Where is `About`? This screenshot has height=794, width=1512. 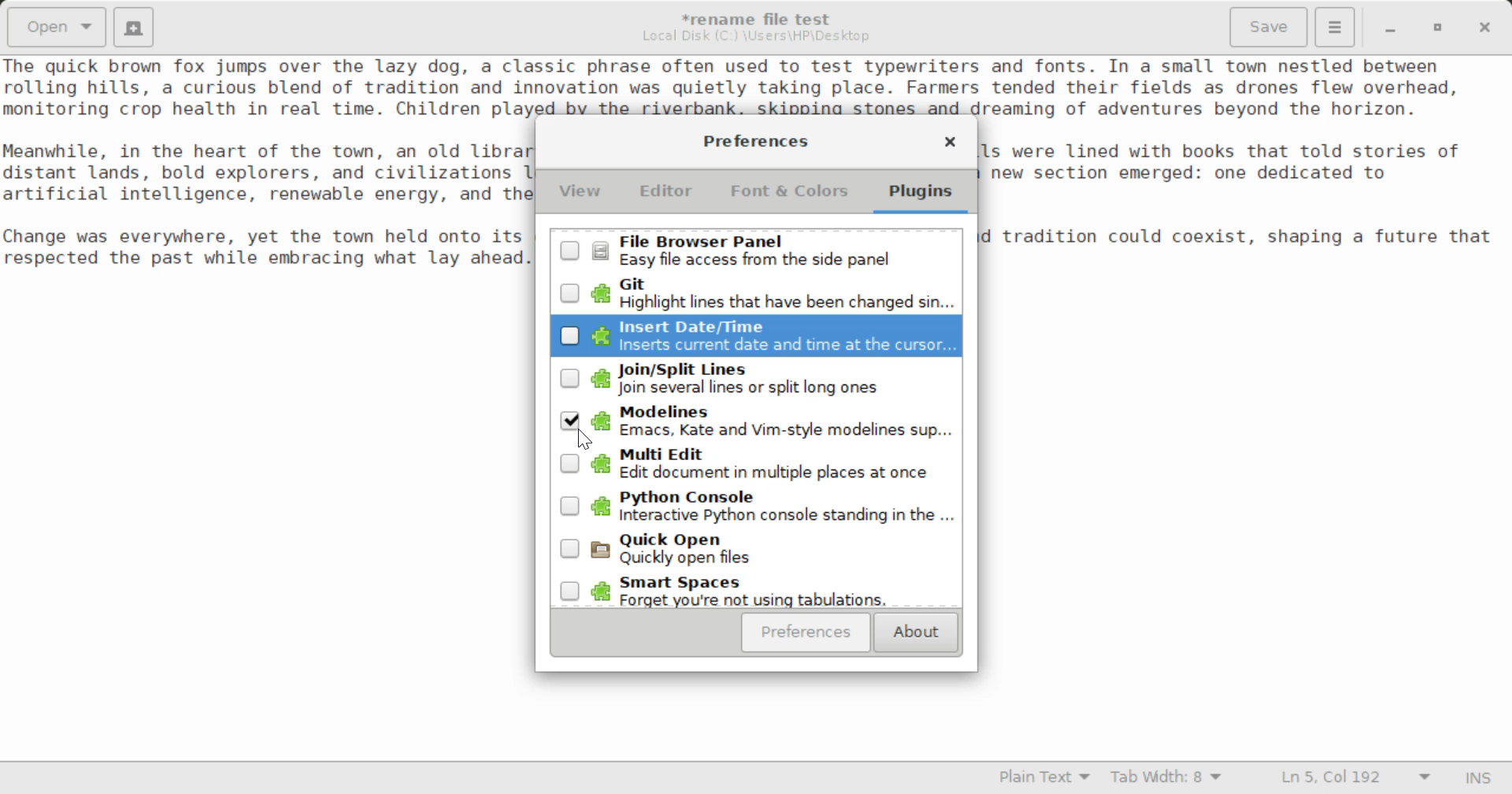
About is located at coordinates (913, 633).